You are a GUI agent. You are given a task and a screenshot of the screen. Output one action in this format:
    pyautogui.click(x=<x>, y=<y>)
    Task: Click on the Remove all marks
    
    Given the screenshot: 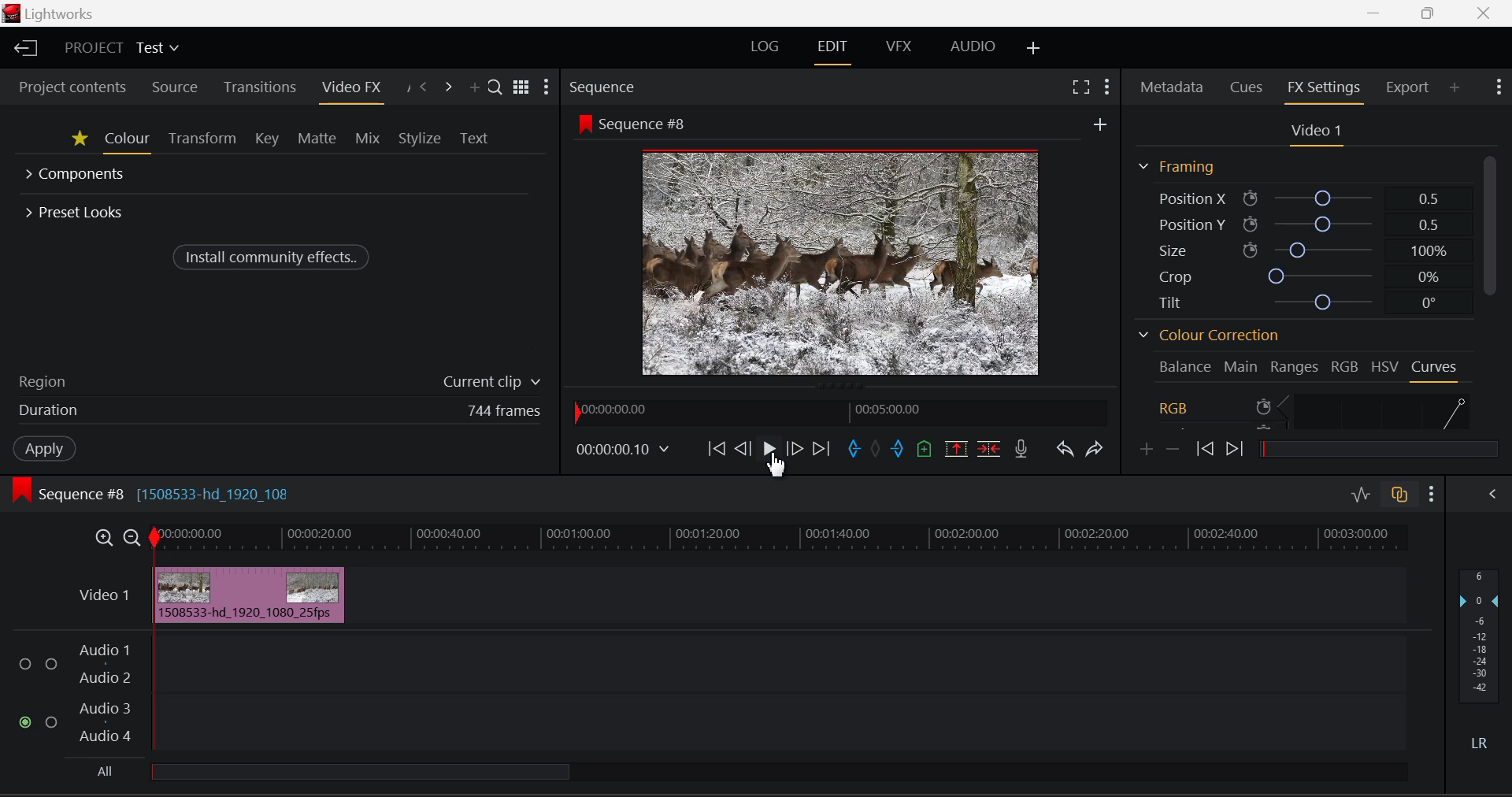 What is the action you would take?
    pyautogui.click(x=877, y=450)
    